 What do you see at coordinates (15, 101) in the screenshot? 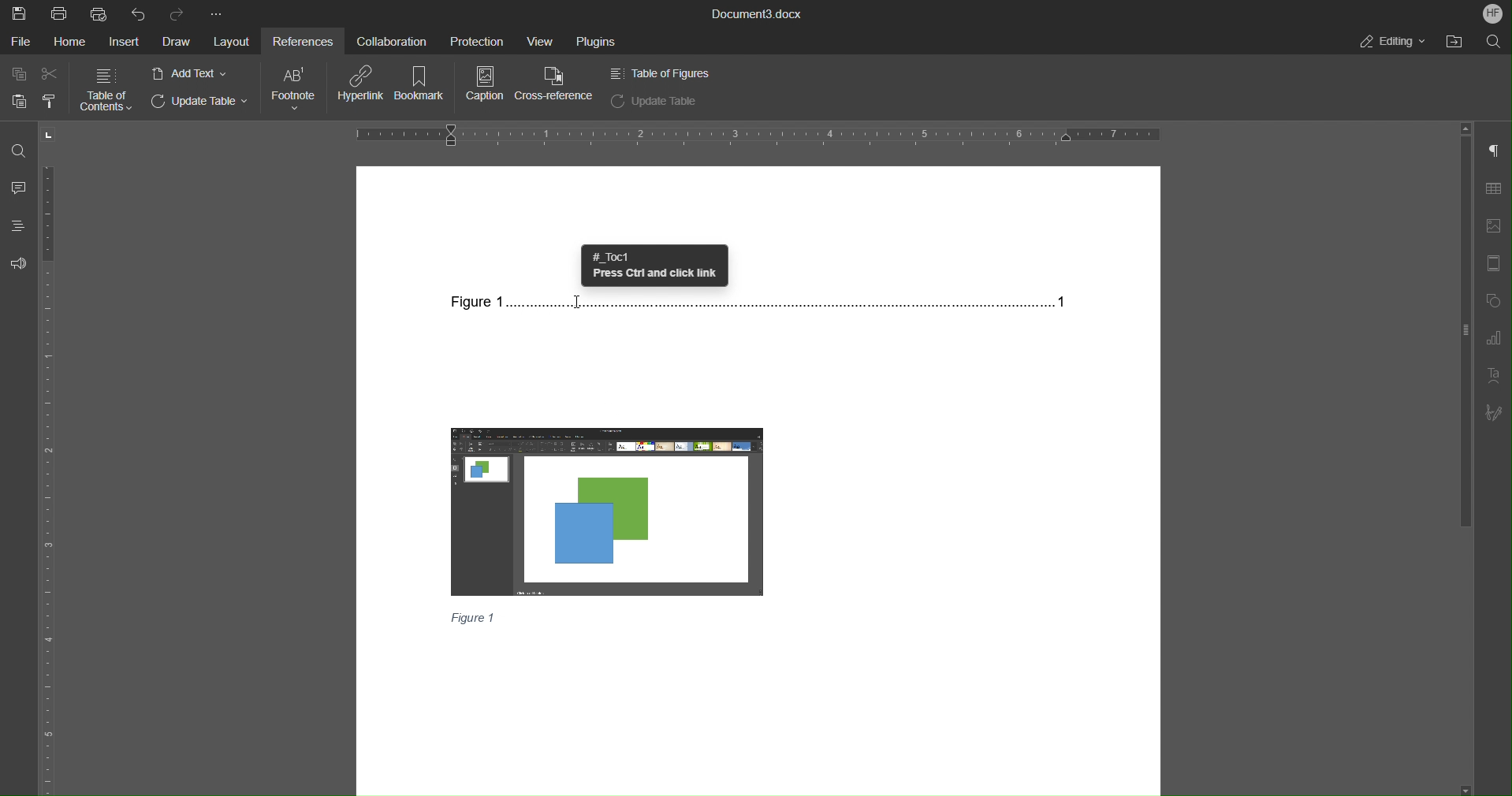
I see `Paste` at bounding box center [15, 101].